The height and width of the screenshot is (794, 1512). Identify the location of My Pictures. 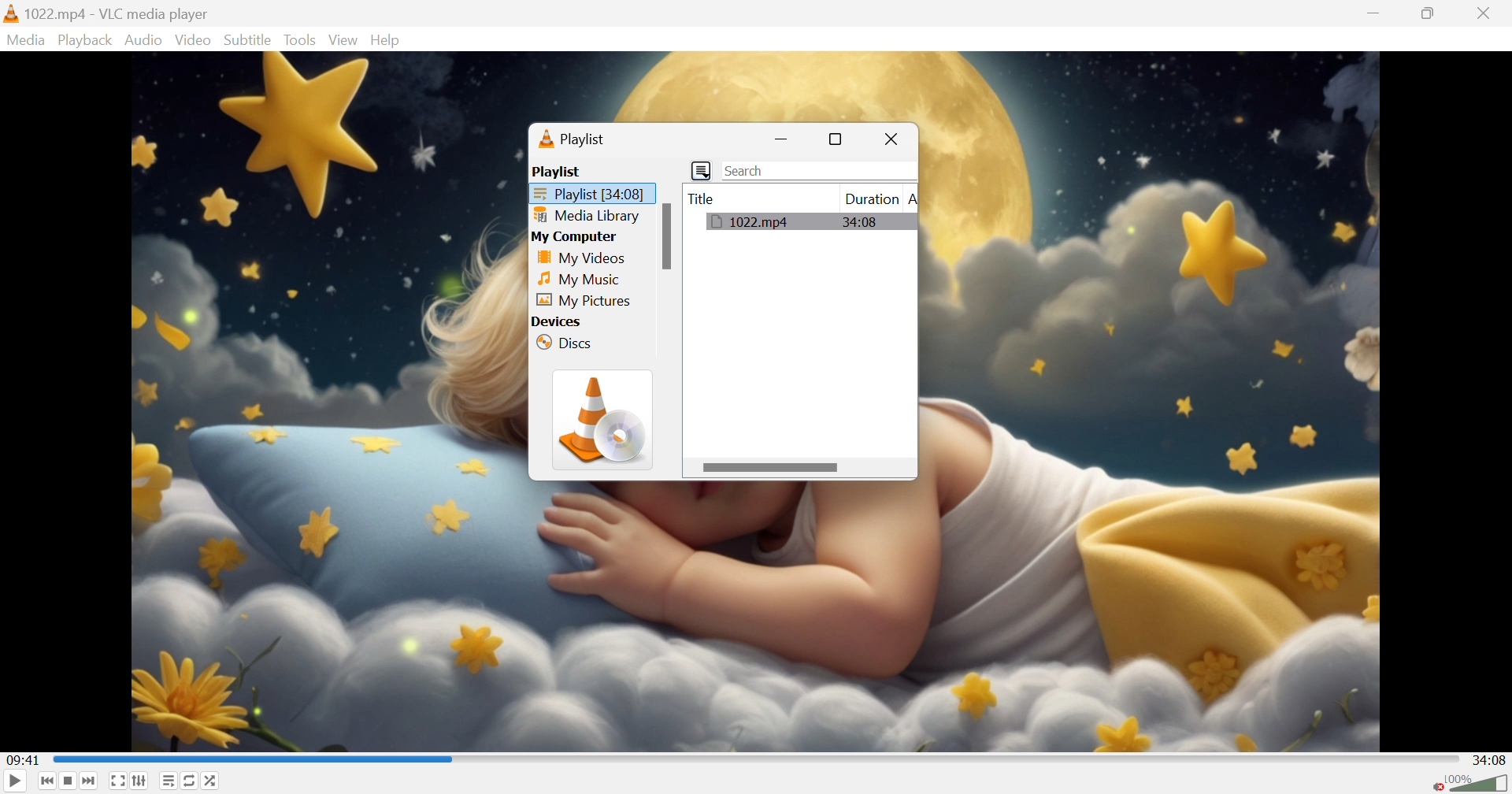
(585, 301).